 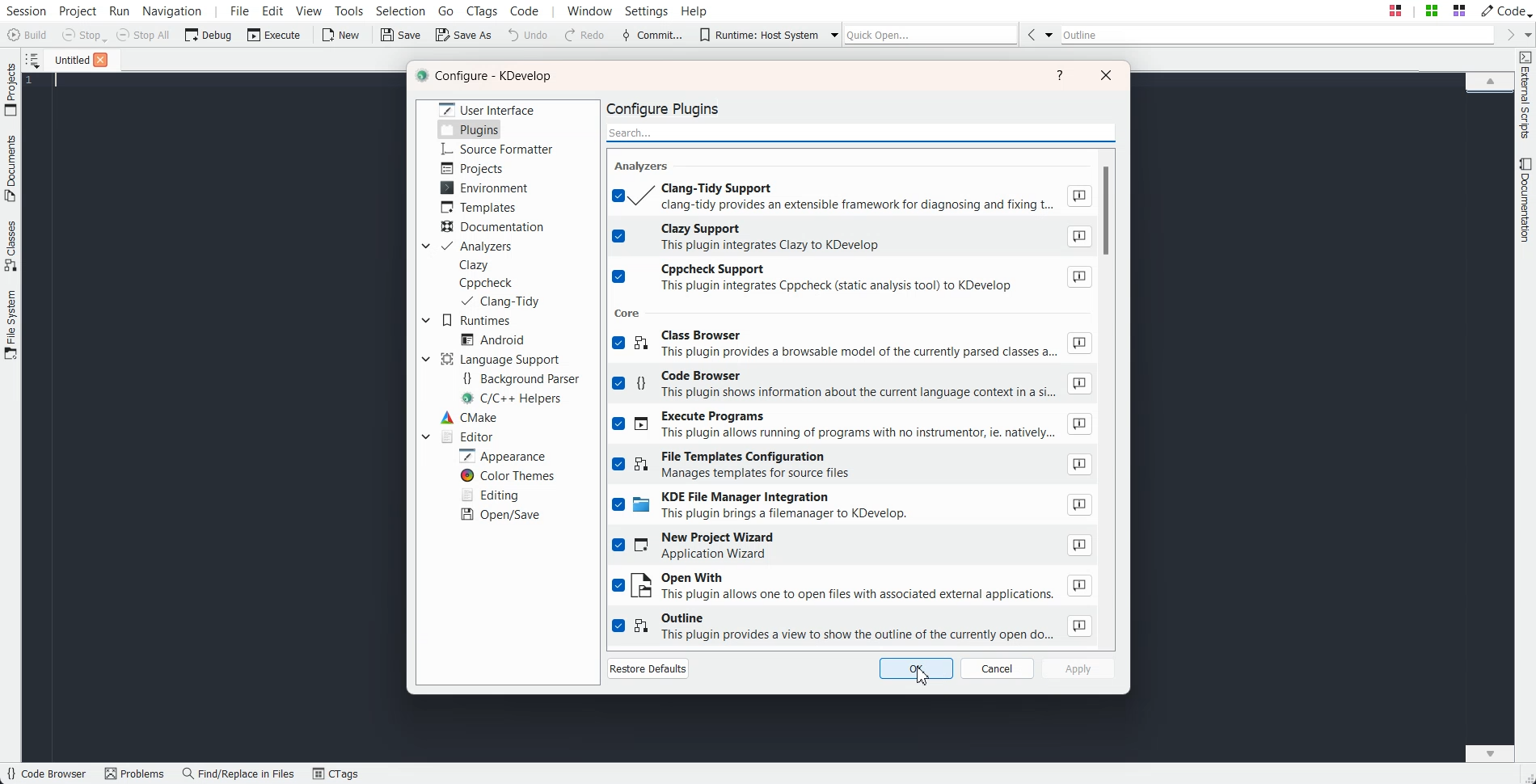 What do you see at coordinates (852, 466) in the screenshot?
I see `Enable File Template Configuration` at bounding box center [852, 466].